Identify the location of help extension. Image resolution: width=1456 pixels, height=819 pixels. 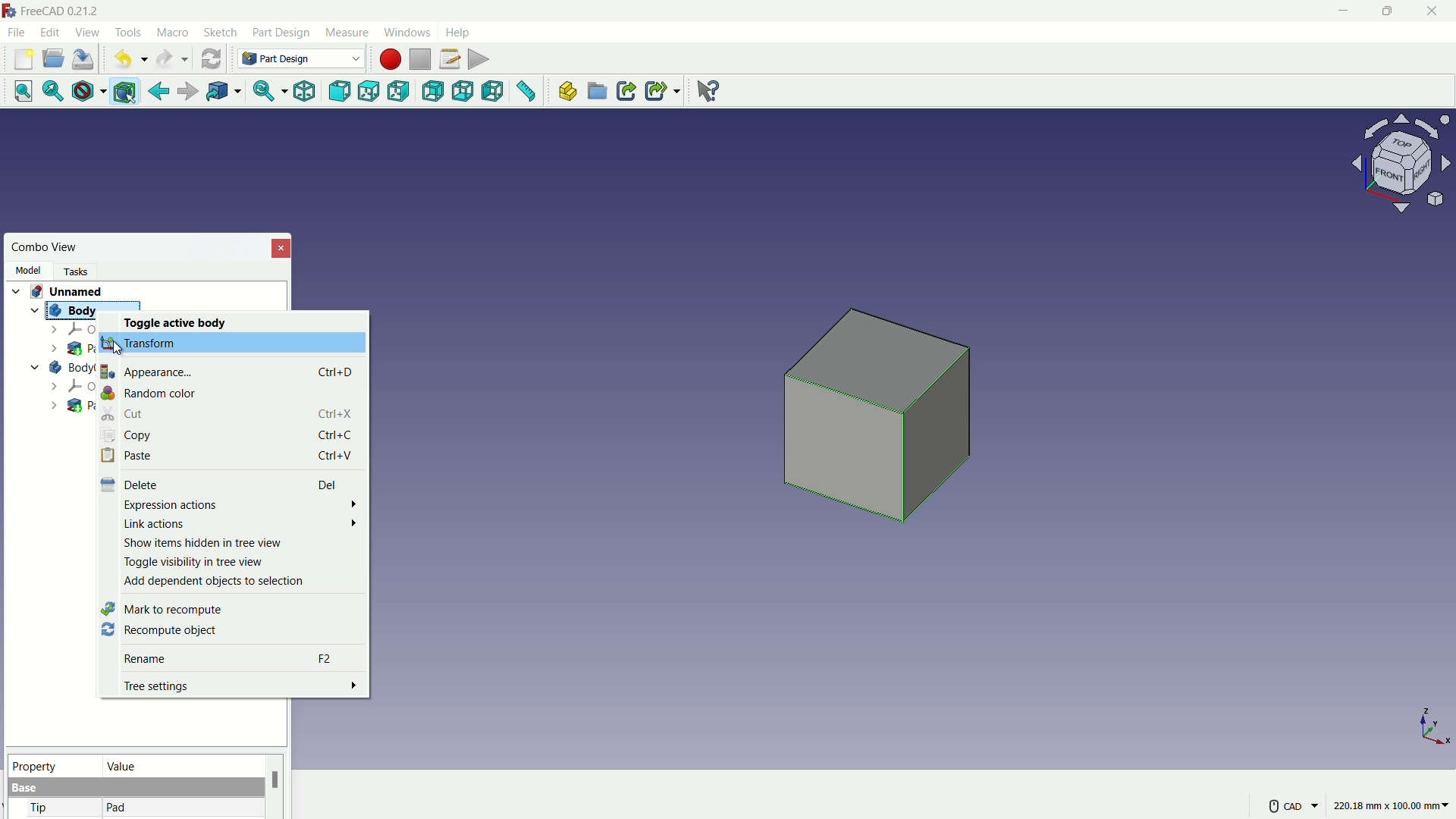
(704, 89).